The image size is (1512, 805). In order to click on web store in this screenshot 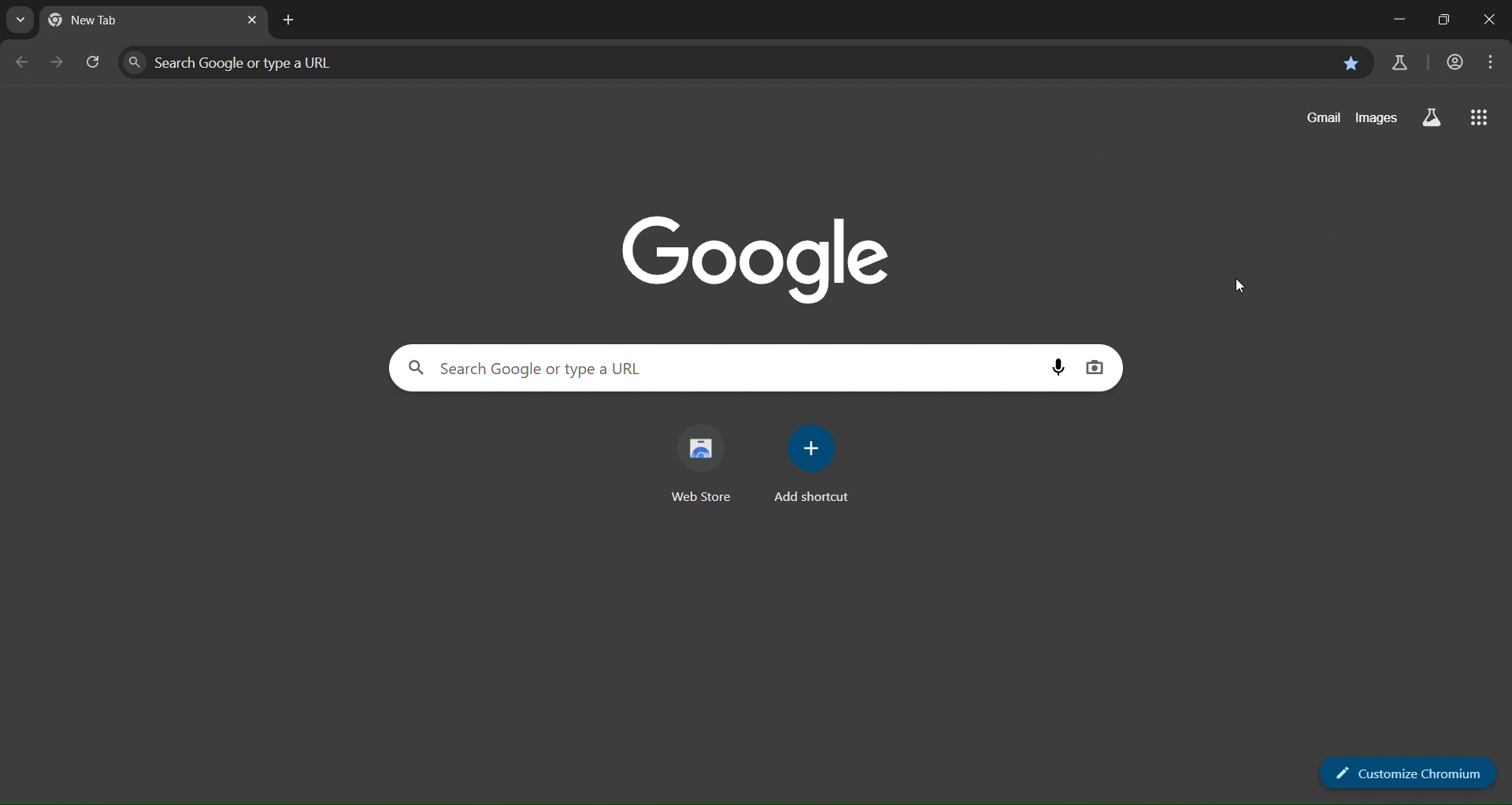, I will do `click(703, 462)`.